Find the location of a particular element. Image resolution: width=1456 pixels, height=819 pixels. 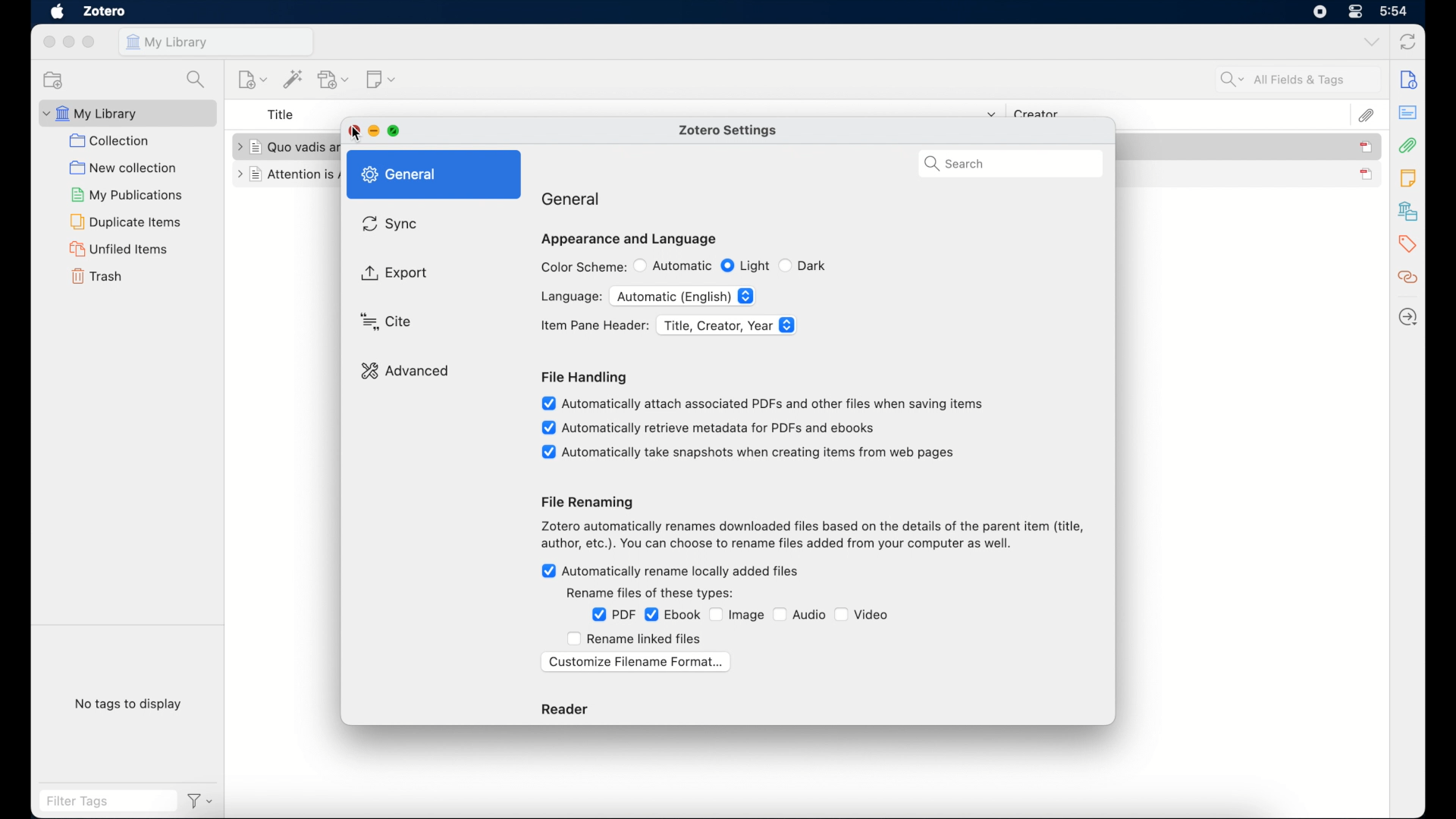

ebook is located at coordinates (673, 615).